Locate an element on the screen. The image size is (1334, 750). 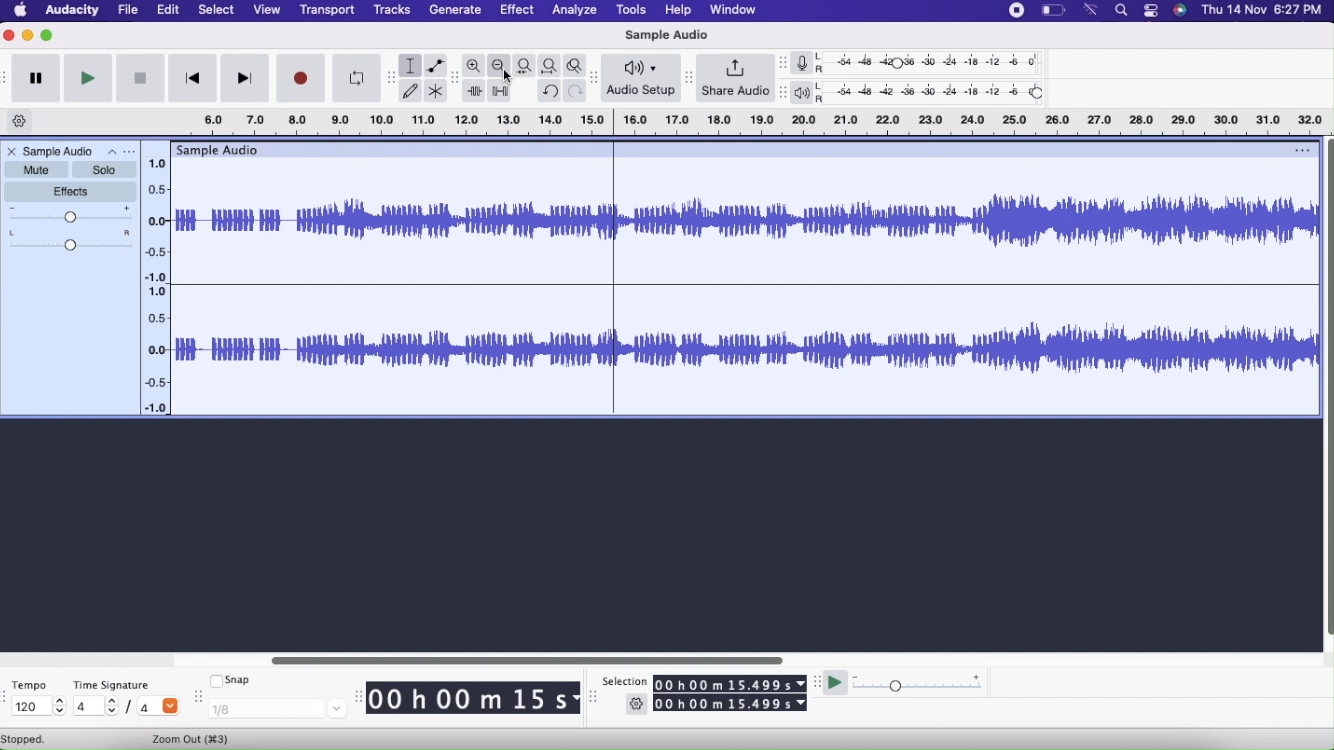
Home is located at coordinates (21, 10).